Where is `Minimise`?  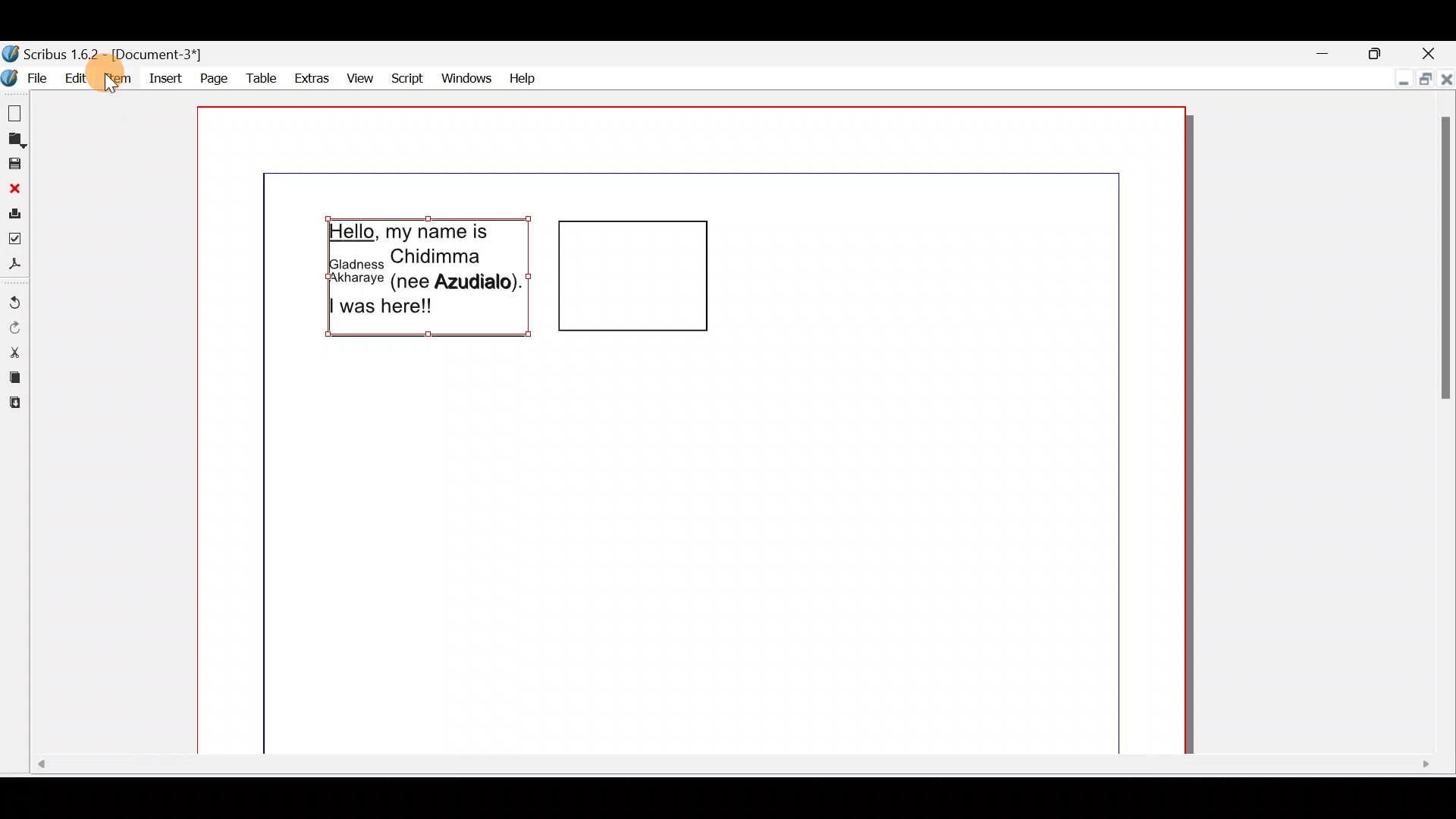
Minimise is located at coordinates (1400, 76).